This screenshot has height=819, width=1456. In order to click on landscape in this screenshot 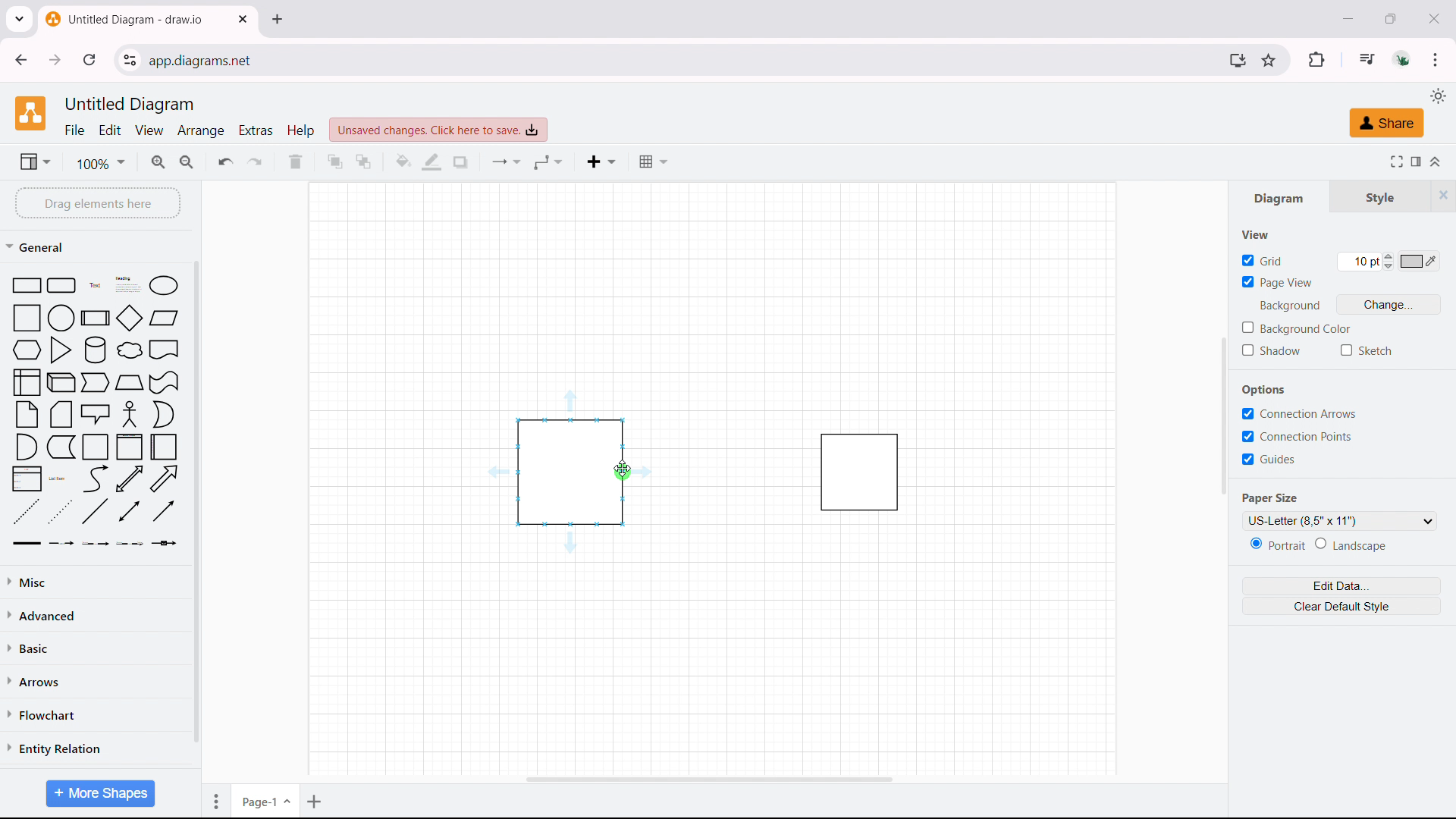, I will do `click(1354, 544)`.